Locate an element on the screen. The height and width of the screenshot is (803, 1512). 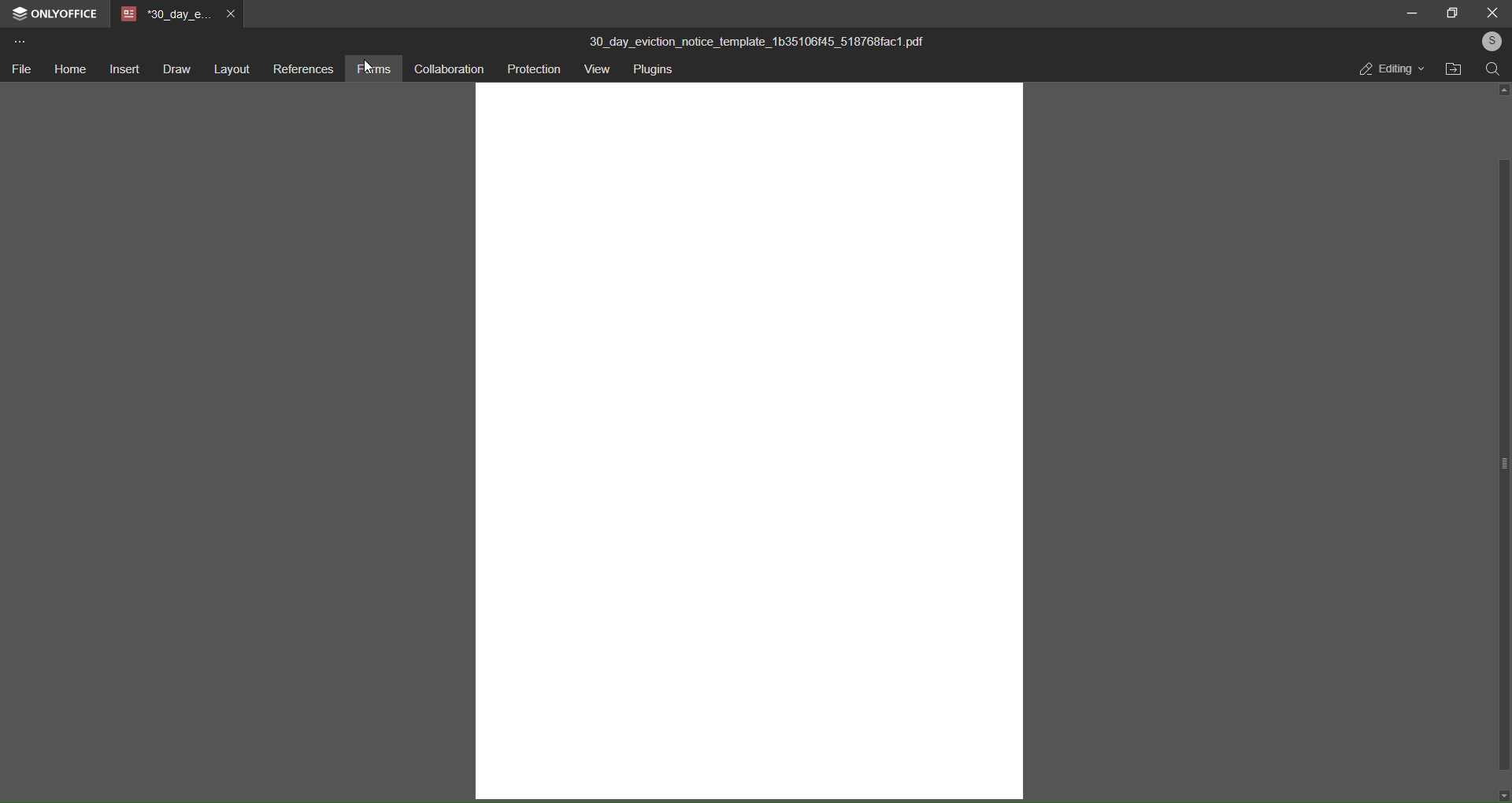
plugins is located at coordinates (655, 71).